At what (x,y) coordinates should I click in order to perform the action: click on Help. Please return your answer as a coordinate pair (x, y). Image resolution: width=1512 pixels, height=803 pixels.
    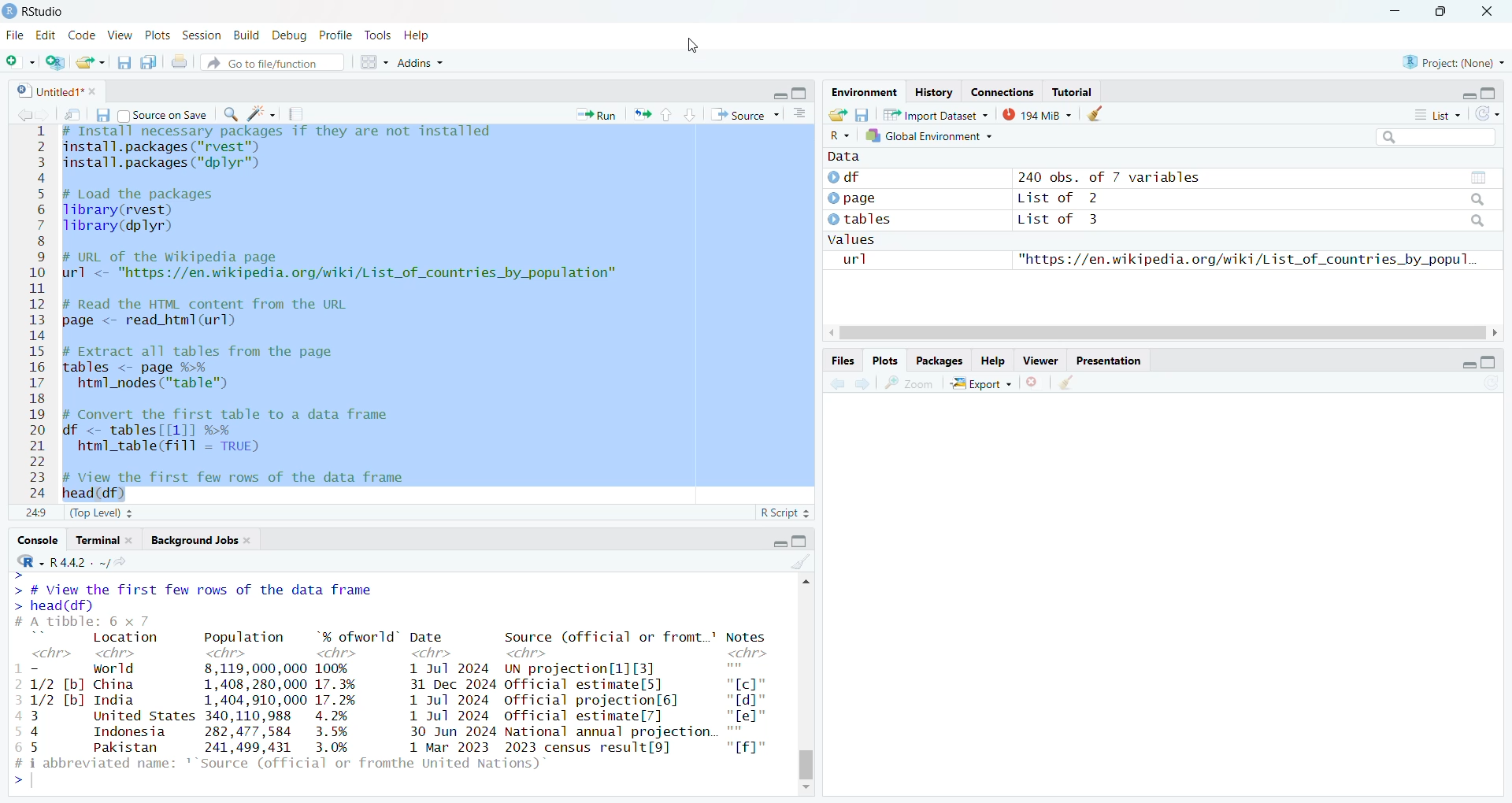
    Looking at the image, I should click on (419, 37).